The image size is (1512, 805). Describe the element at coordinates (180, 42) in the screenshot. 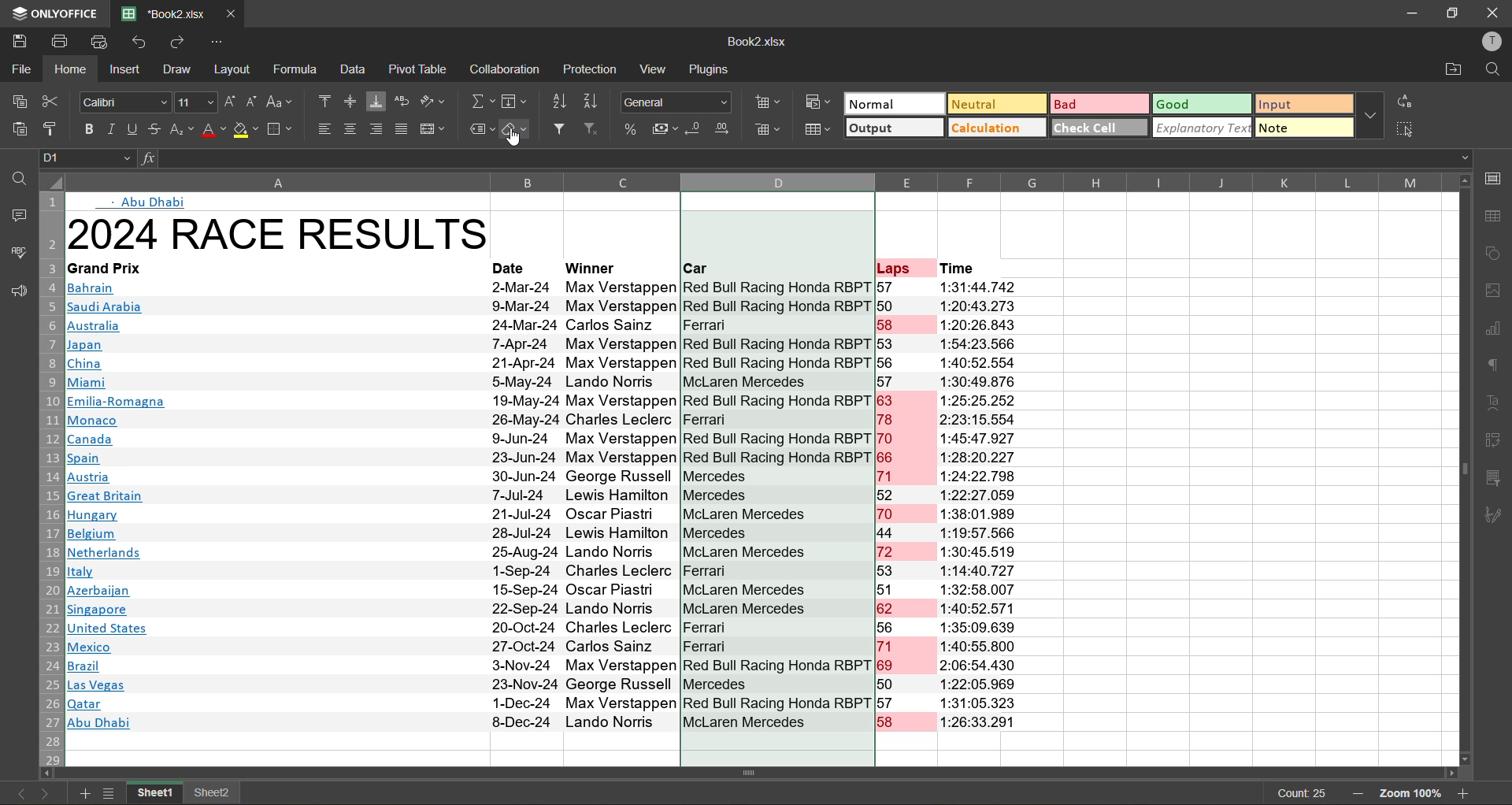

I see `redo` at that location.